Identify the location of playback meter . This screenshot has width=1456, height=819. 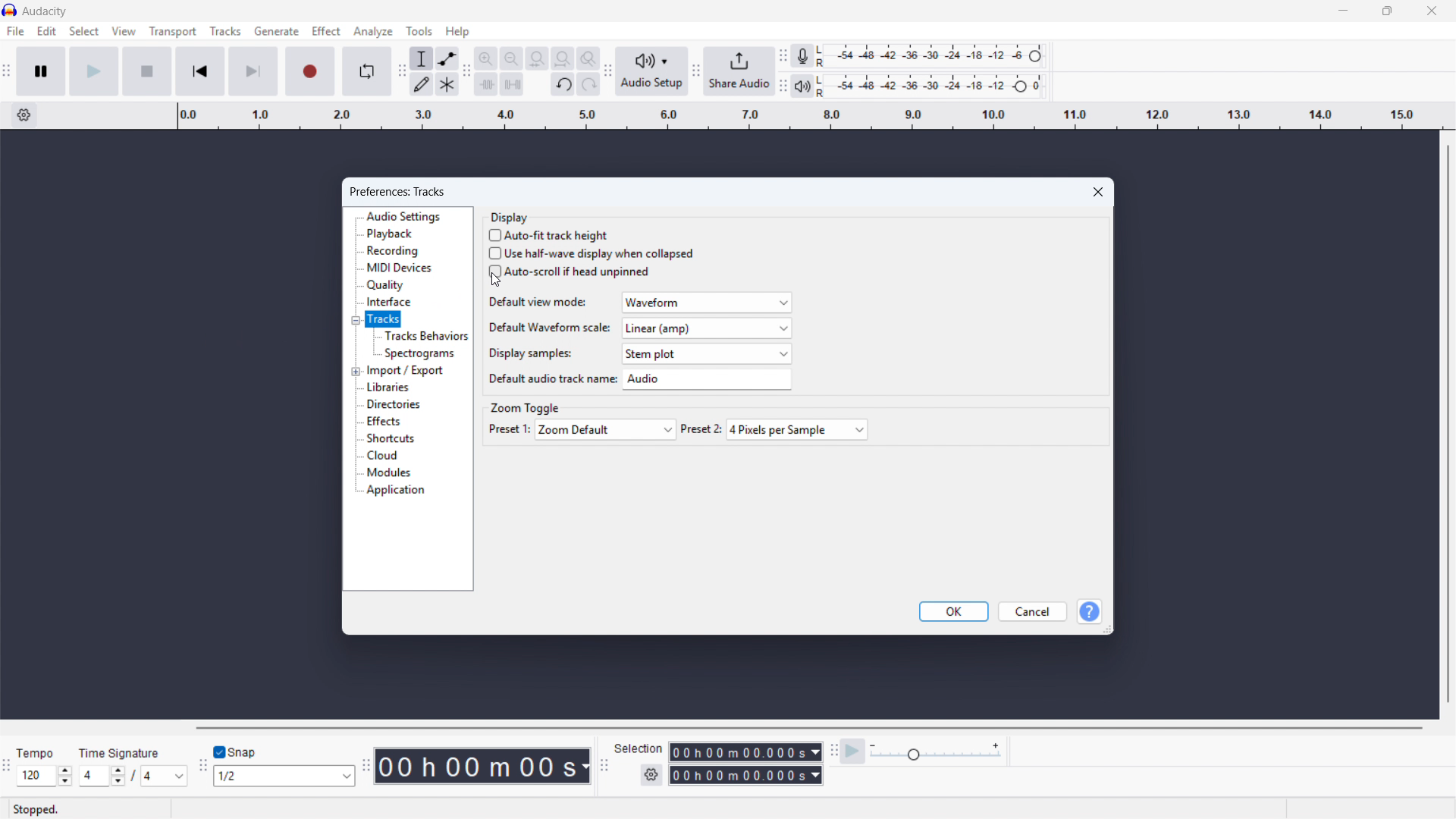
(803, 86).